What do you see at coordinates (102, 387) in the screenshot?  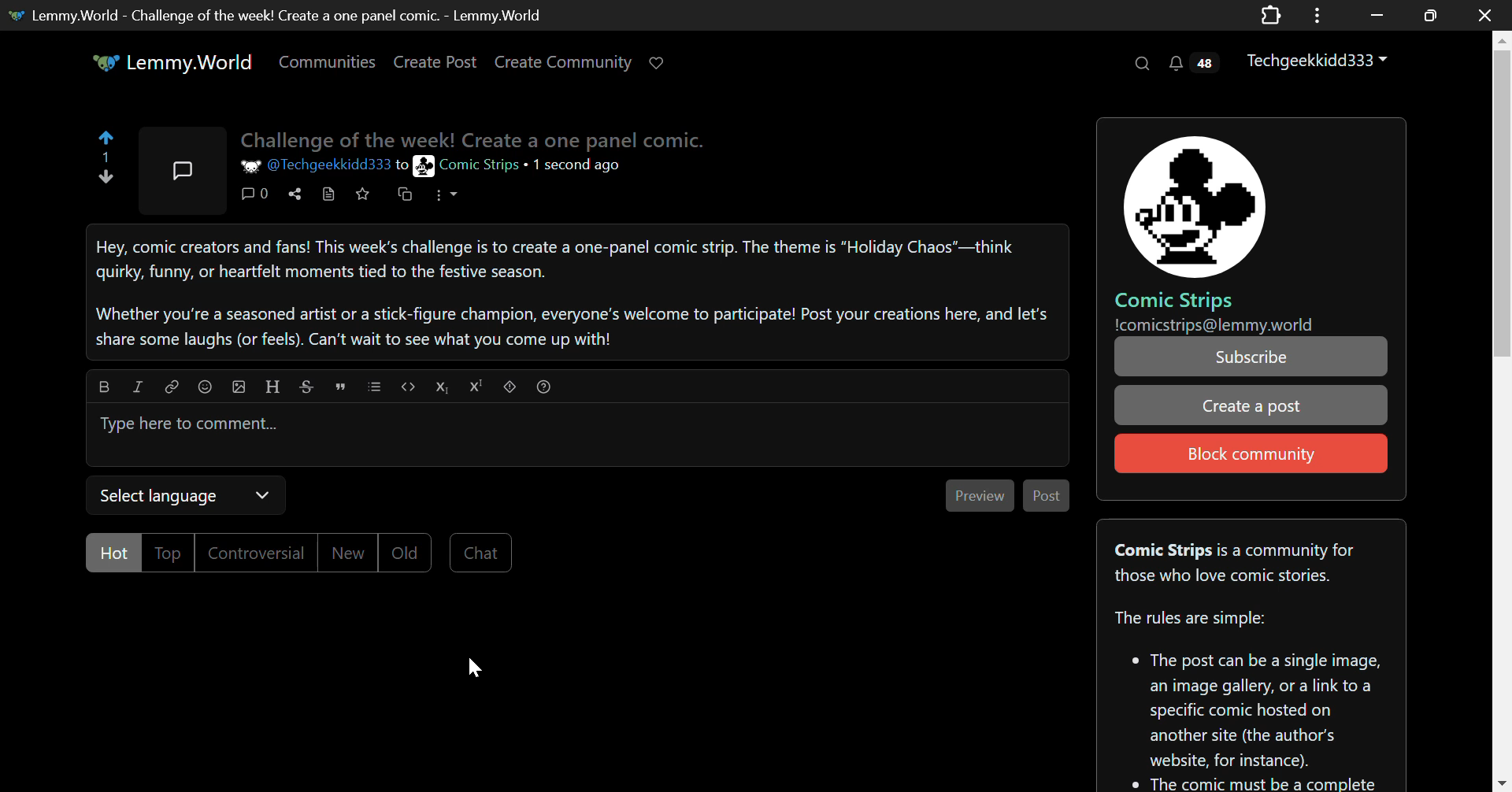 I see `bold` at bounding box center [102, 387].